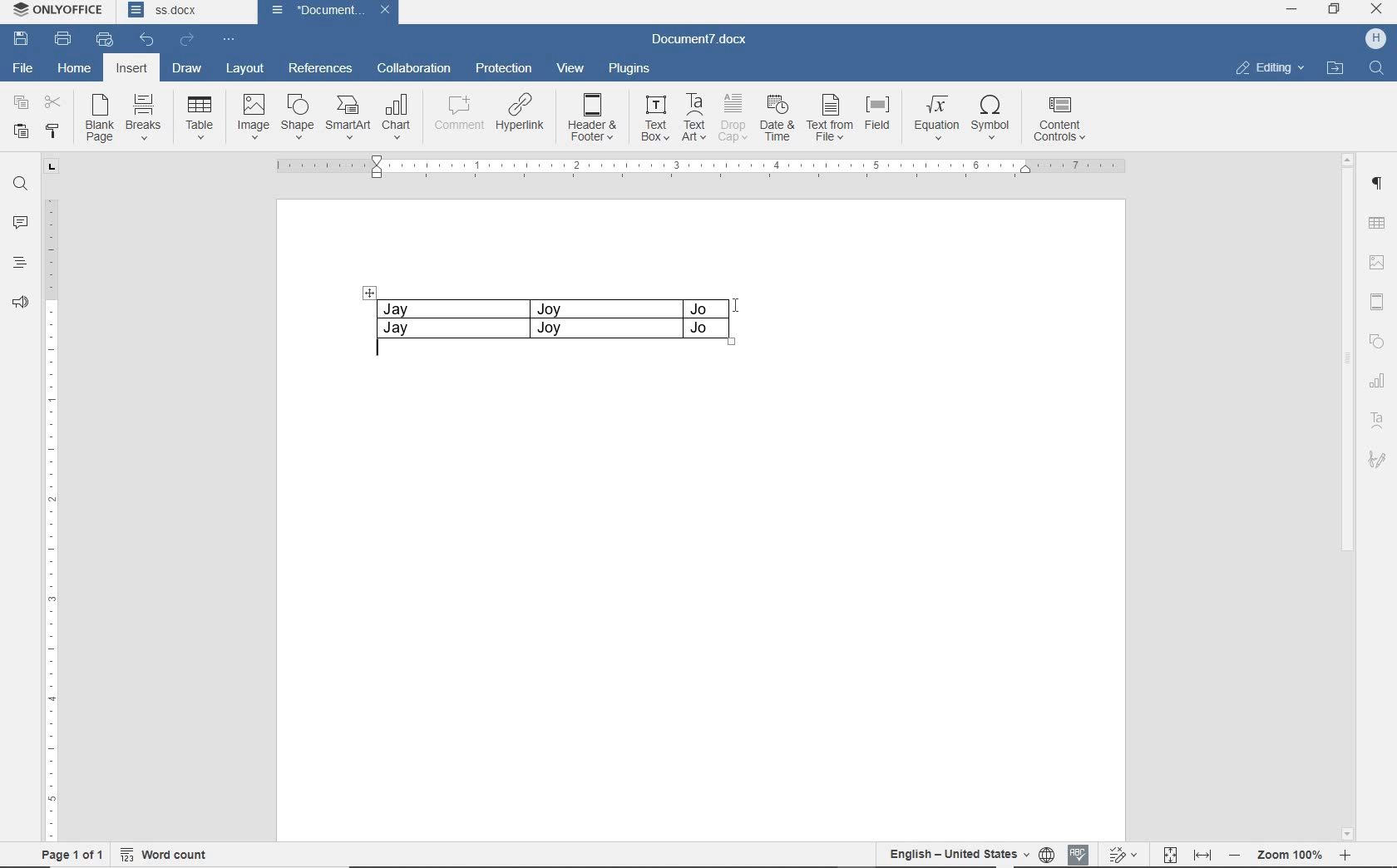  What do you see at coordinates (1377, 302) in the screenshot?
I see `HEADER & FOOTER` at bounding box center [1377, 302].